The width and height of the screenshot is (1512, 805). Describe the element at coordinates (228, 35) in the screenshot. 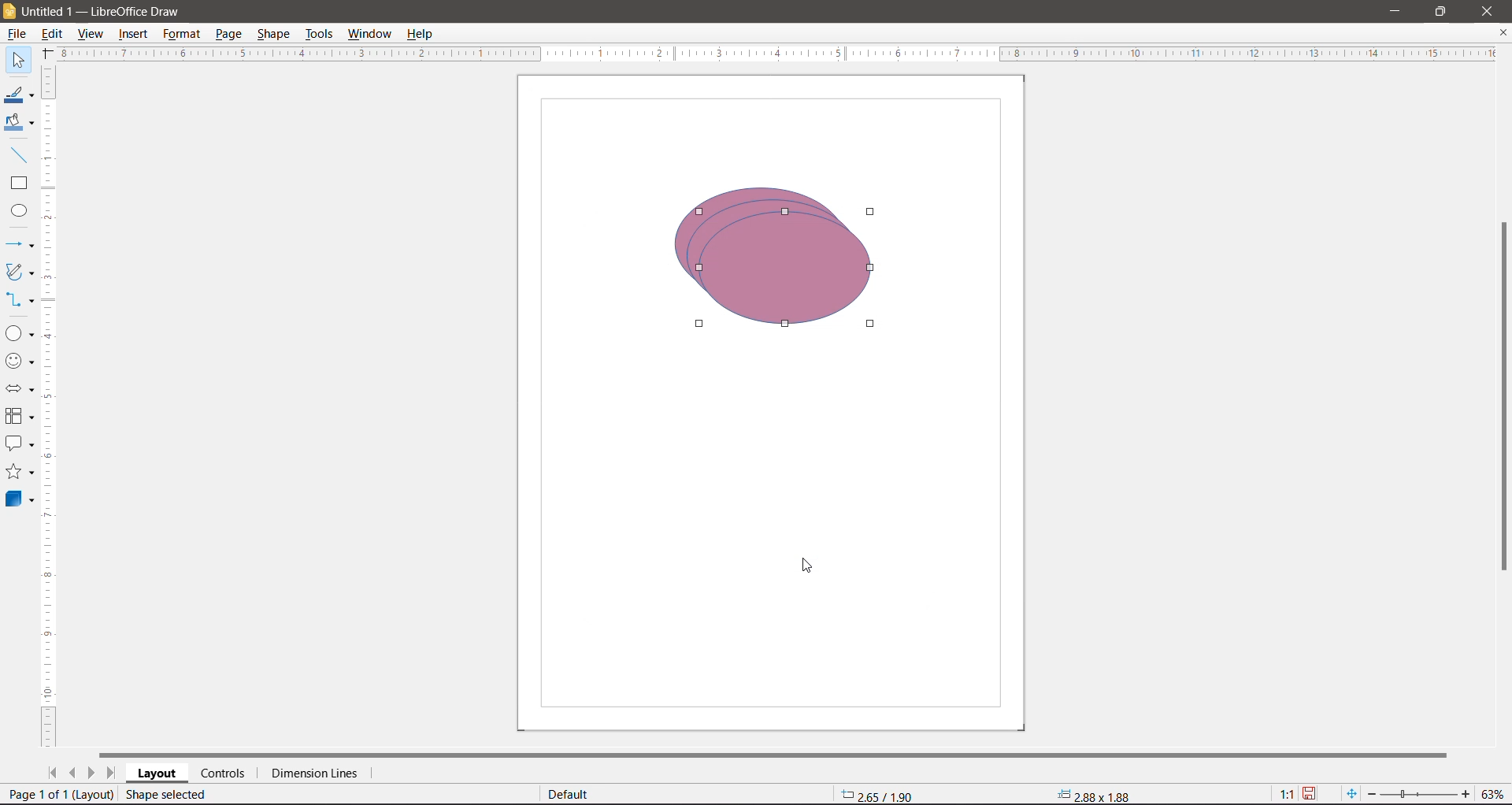

I see `Page` at that location.